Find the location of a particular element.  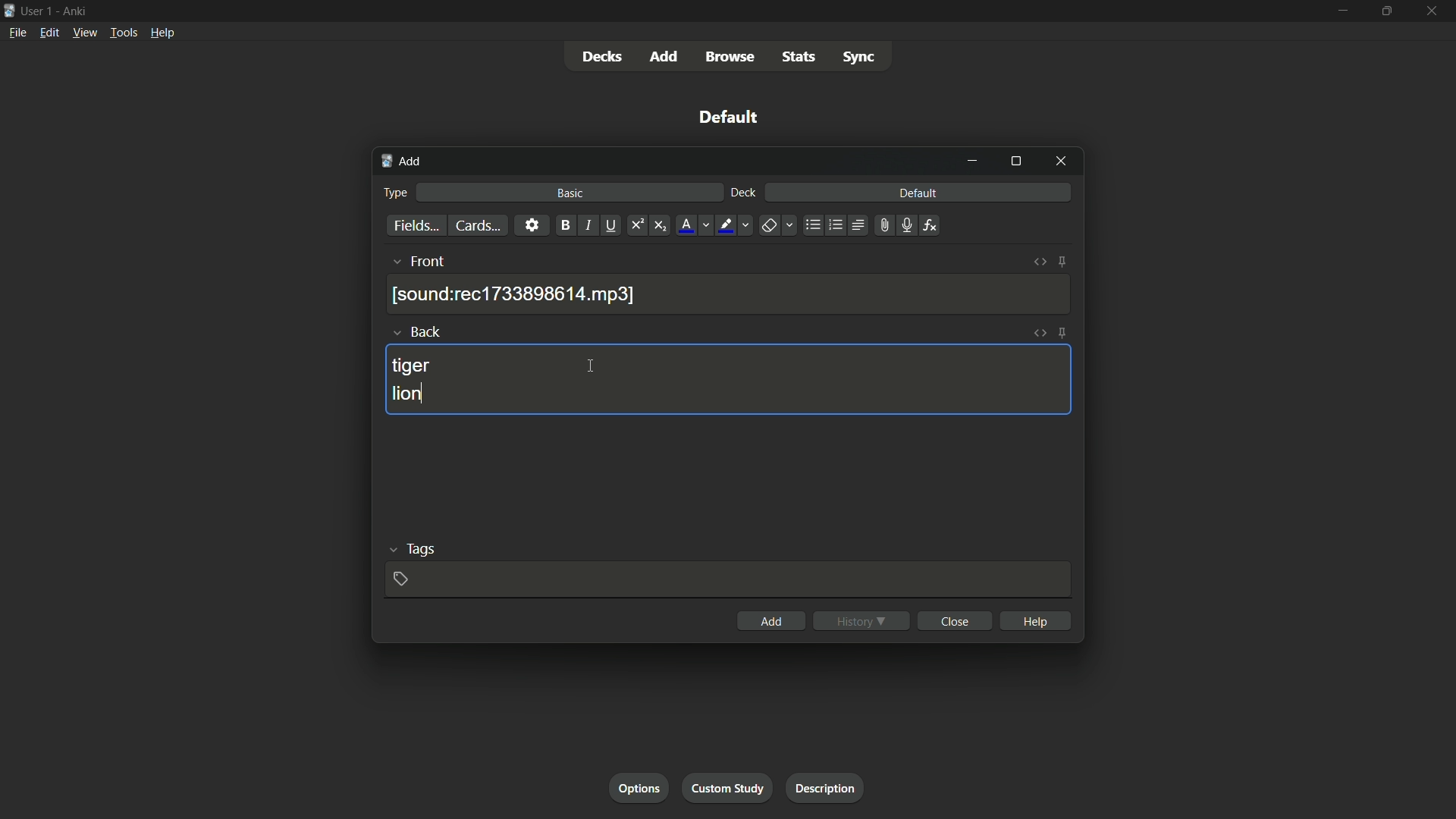

lion is located at coordinates (412, 395).